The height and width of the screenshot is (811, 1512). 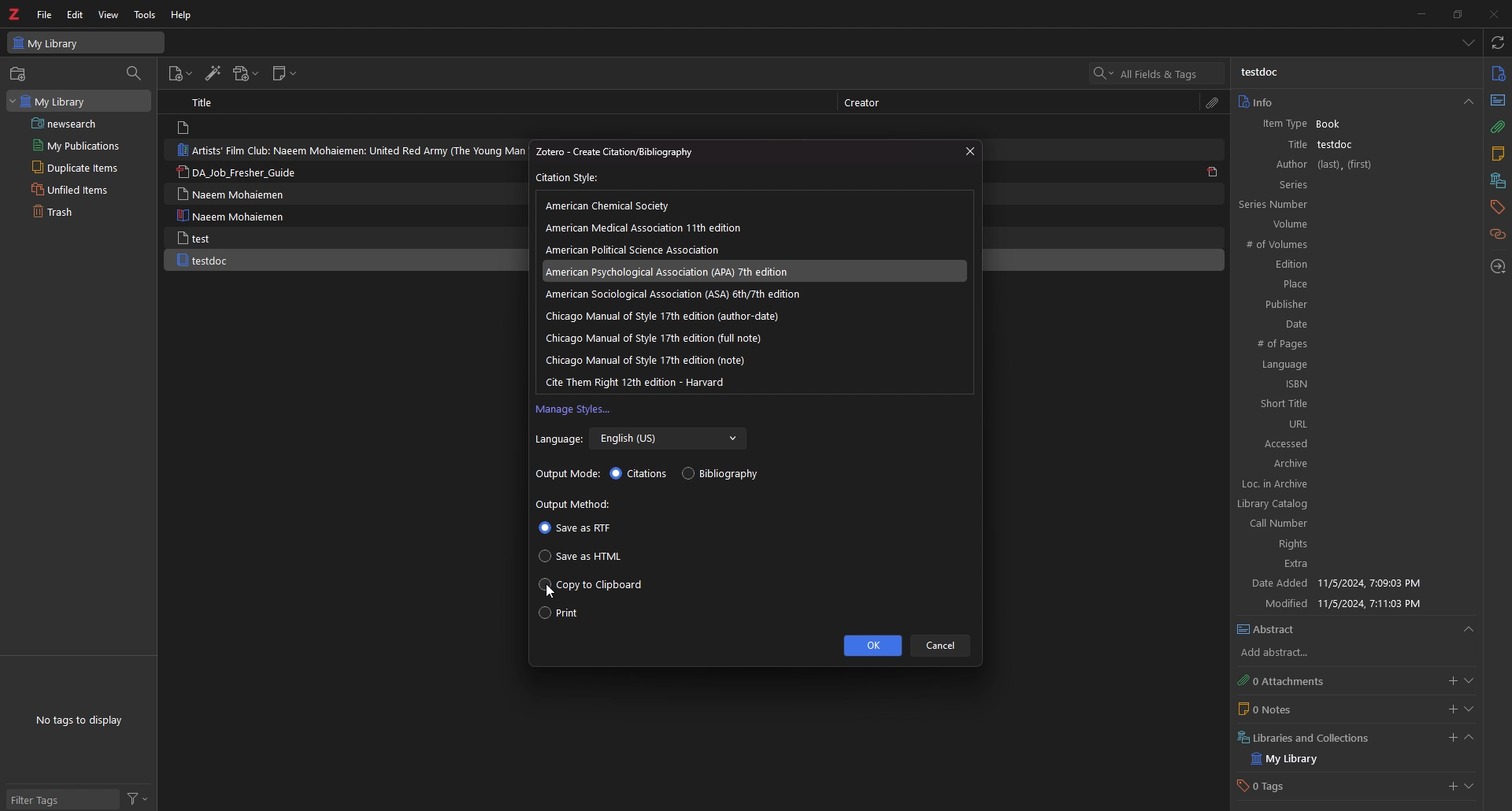 I want to click on Naeem Mohaiemen, so click(x=231, y=194).